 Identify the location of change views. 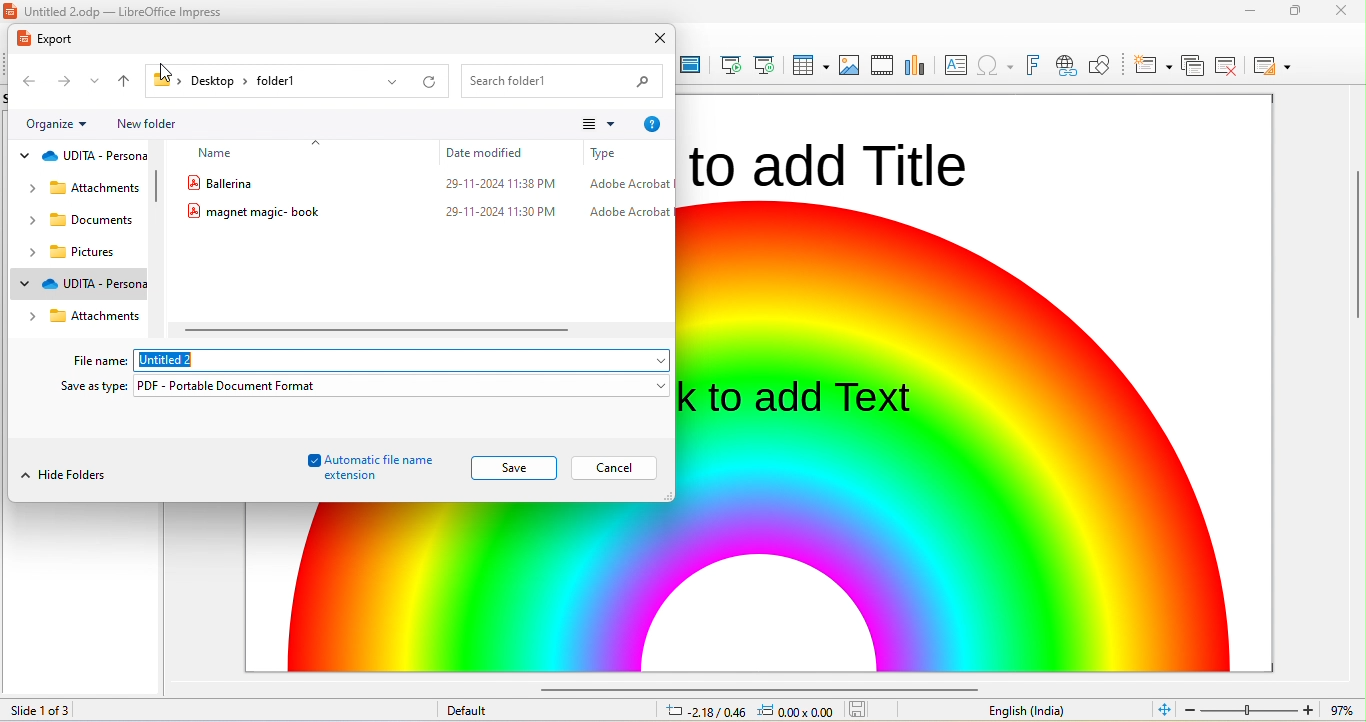
(587, 125).